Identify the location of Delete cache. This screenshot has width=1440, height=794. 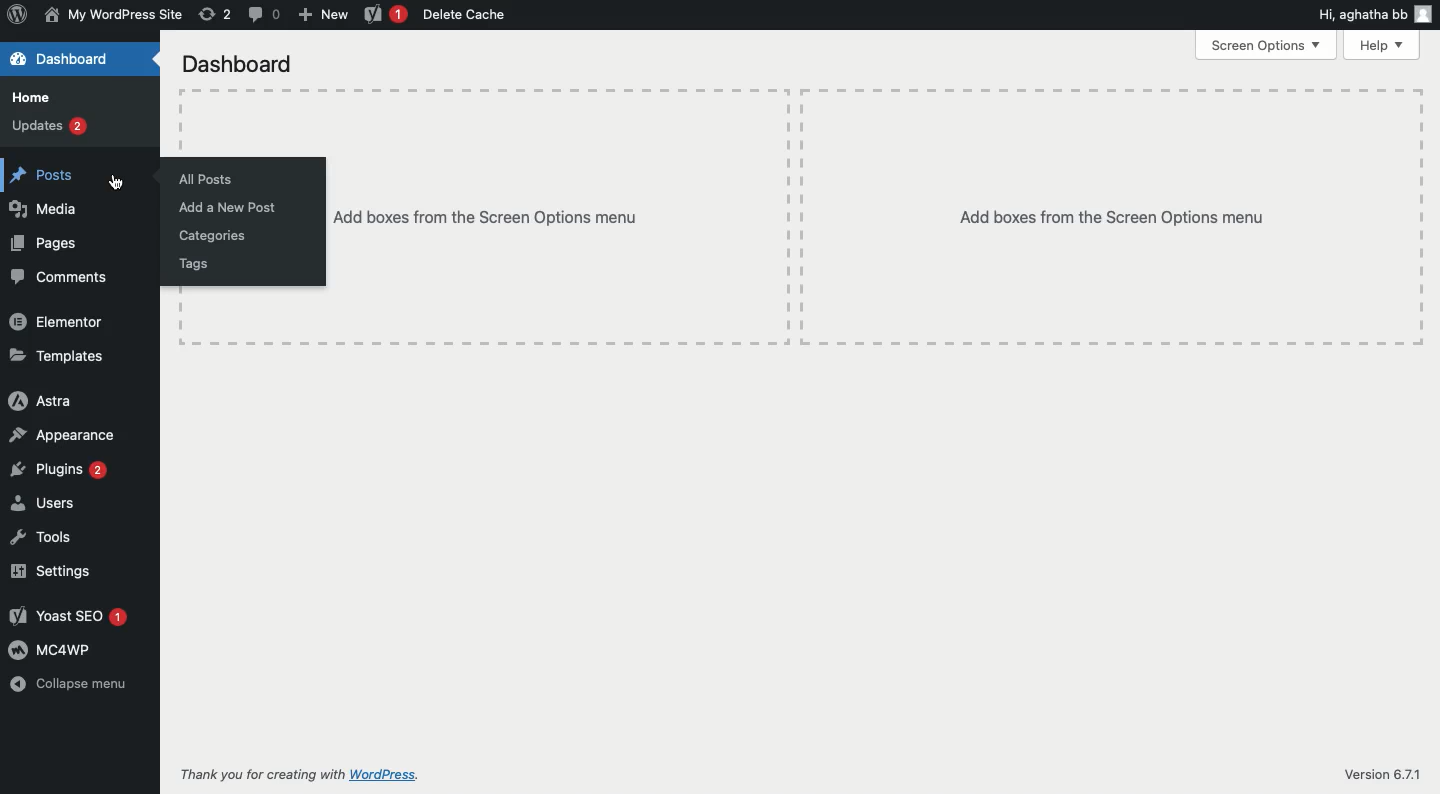
(467, 14).